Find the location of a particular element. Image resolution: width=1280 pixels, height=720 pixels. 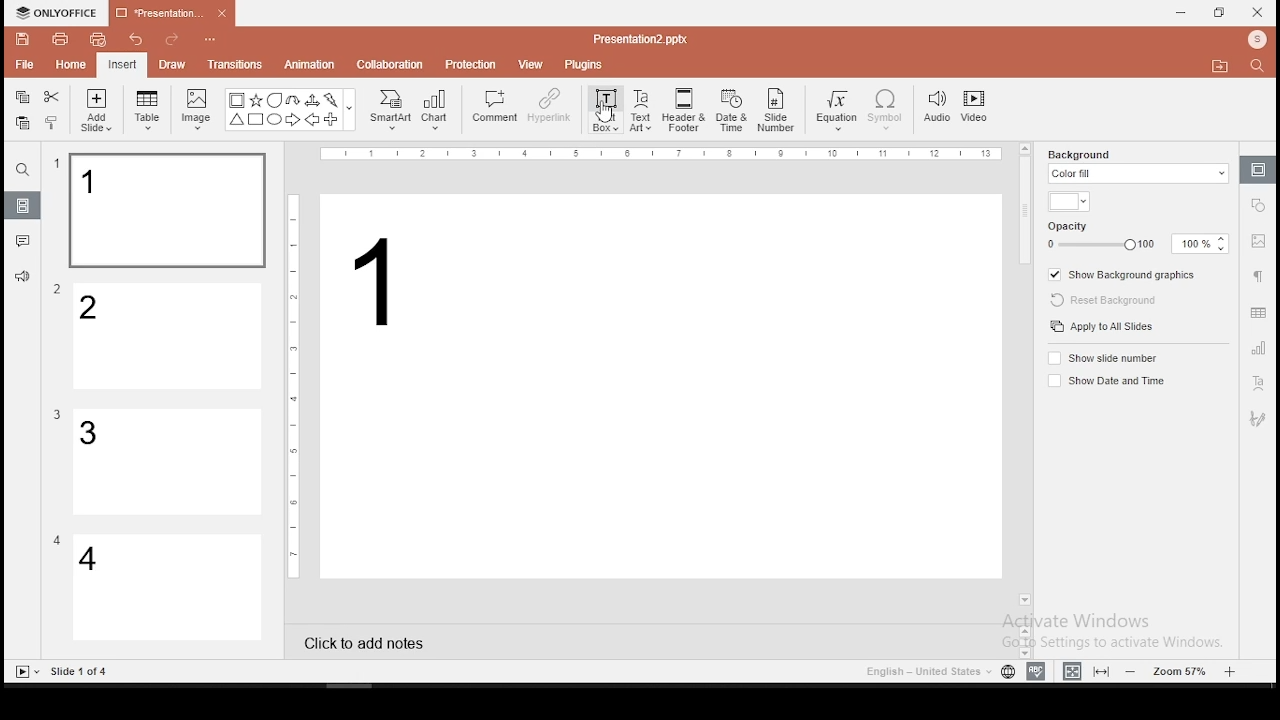

save is located at coordinates (23, 38).